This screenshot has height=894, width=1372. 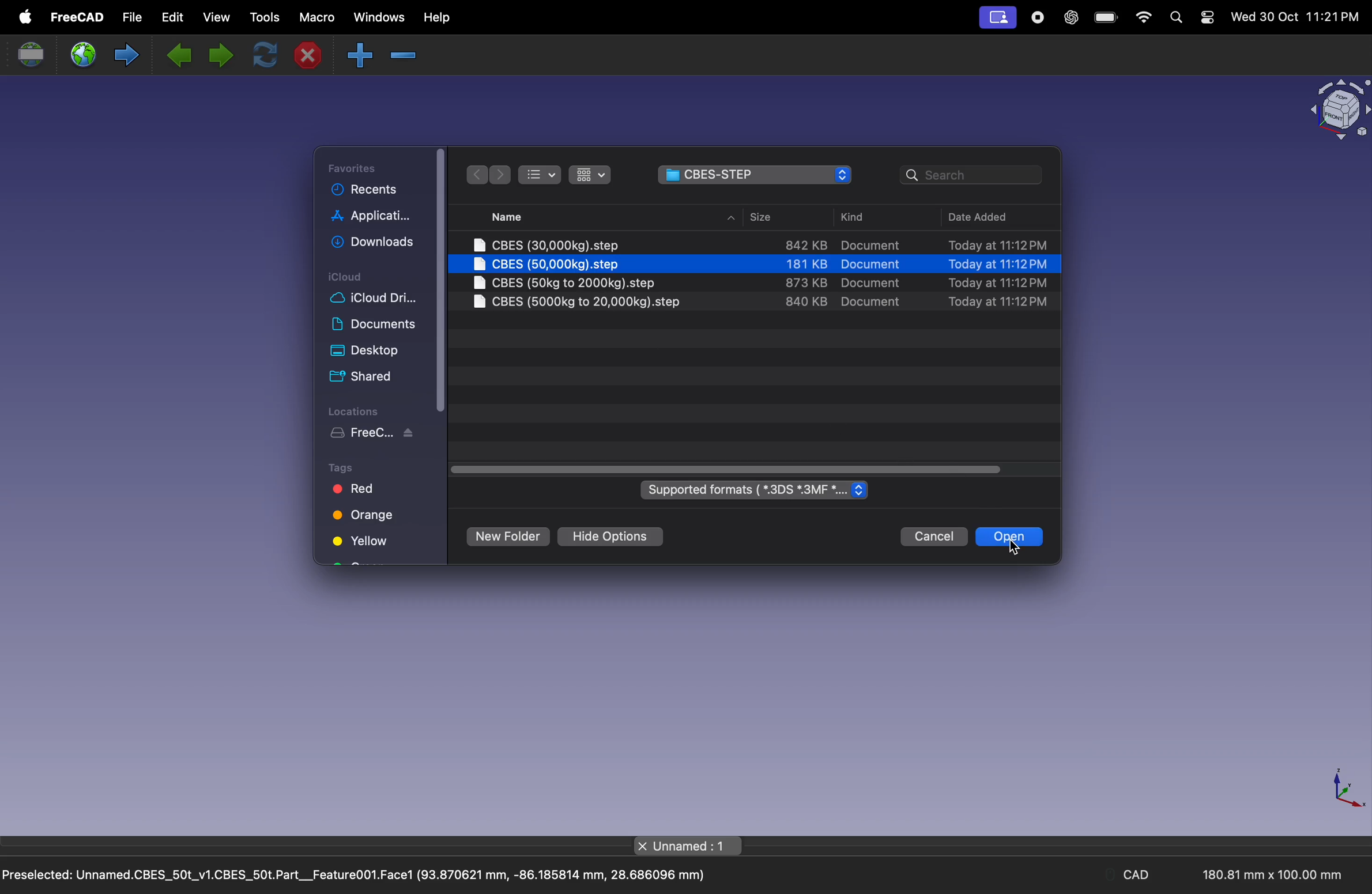 I want to click on step file 2, so click(x=755, y=265).